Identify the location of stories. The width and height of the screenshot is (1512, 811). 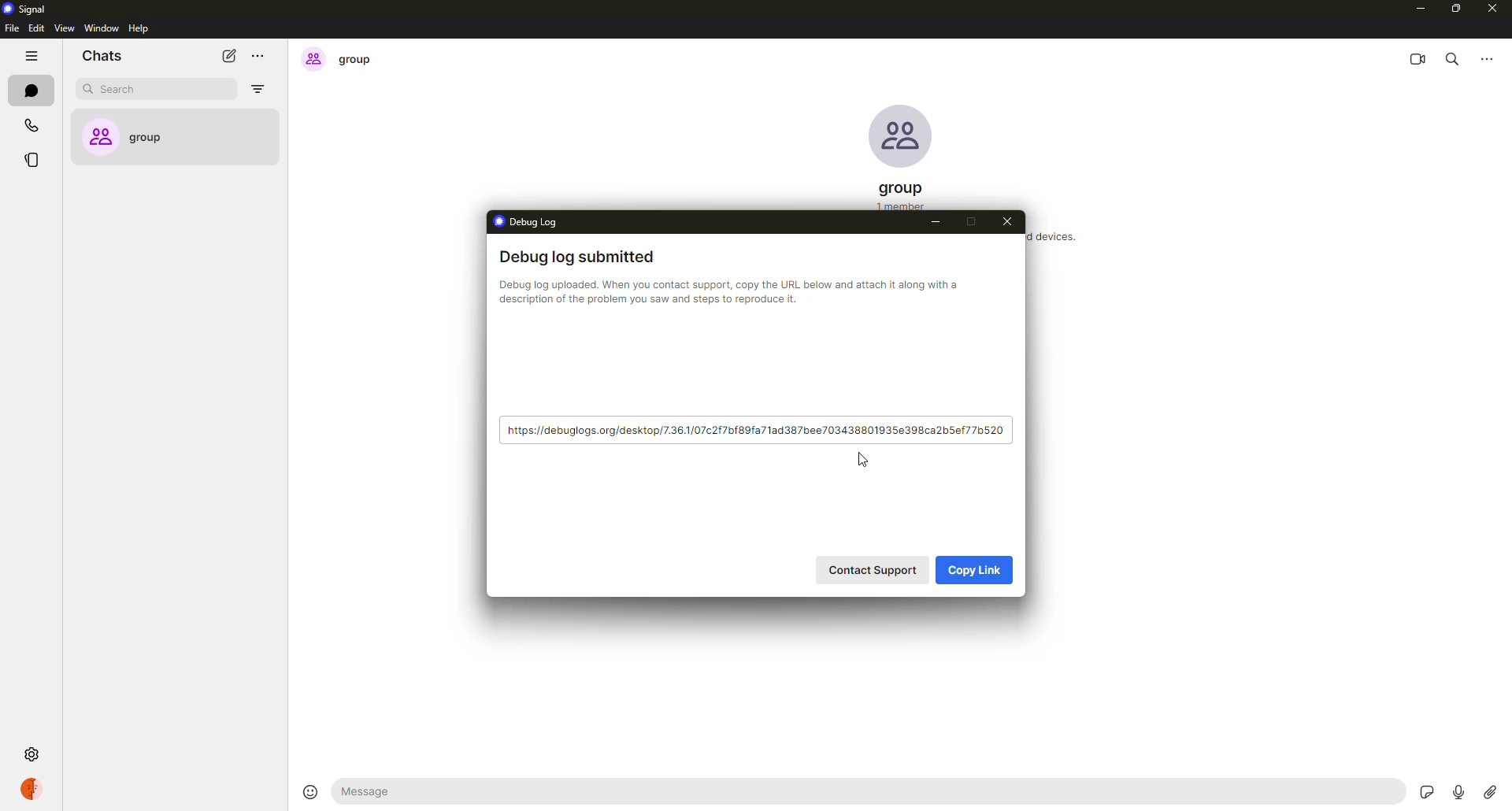
(31, 160).